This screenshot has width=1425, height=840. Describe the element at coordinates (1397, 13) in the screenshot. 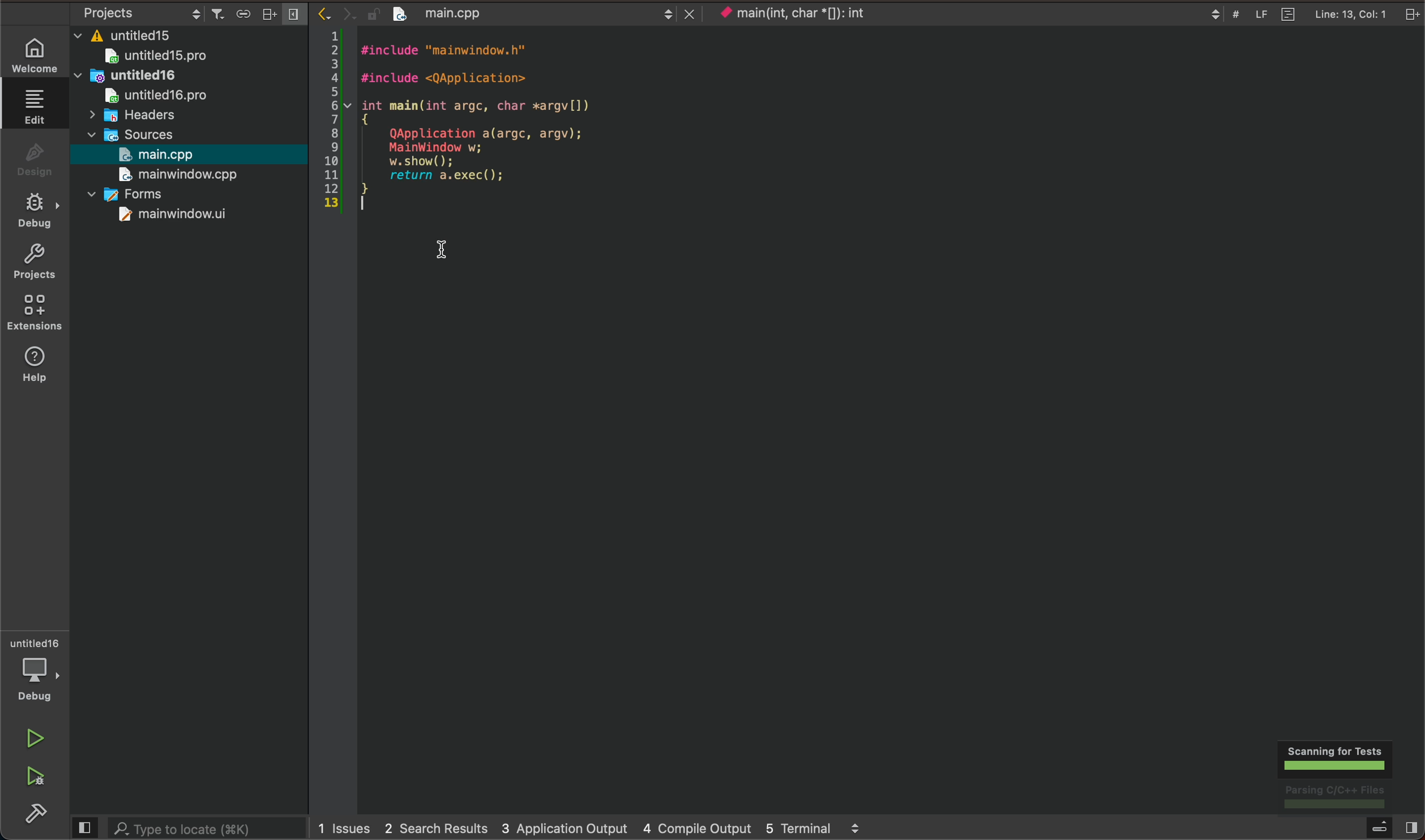

I see `` at that location.